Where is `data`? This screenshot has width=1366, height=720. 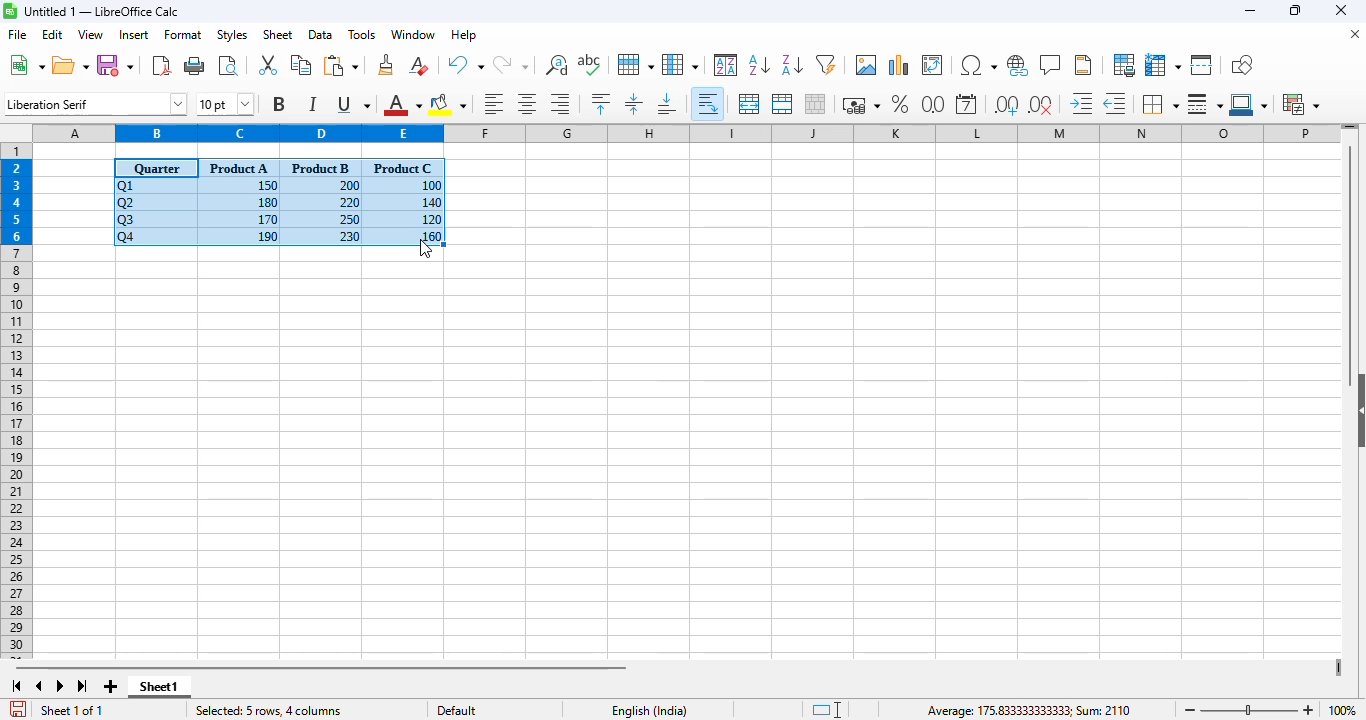 data is located at coordinates (320, 34).